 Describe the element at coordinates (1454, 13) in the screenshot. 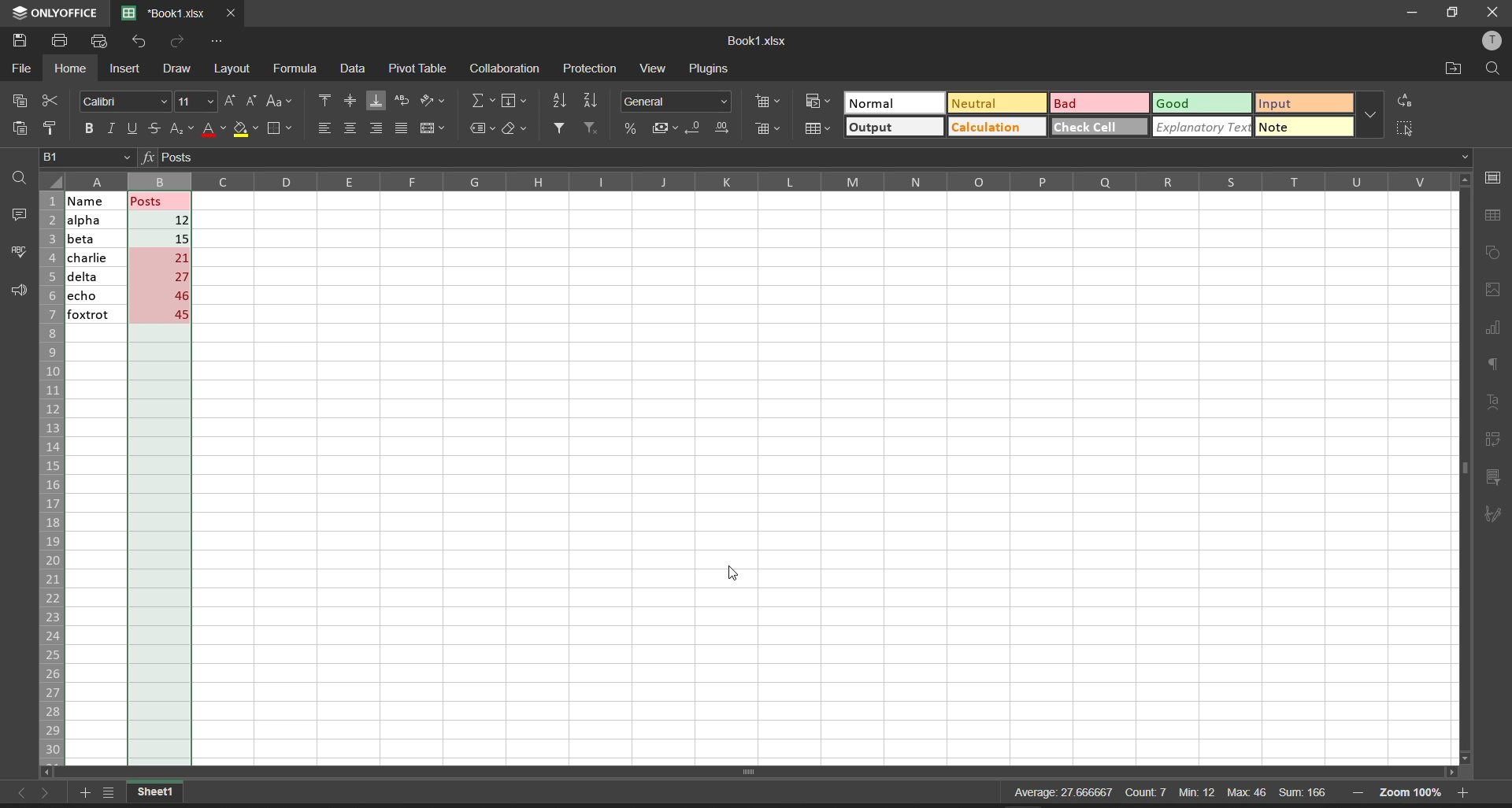

I see `maximize` at that location.